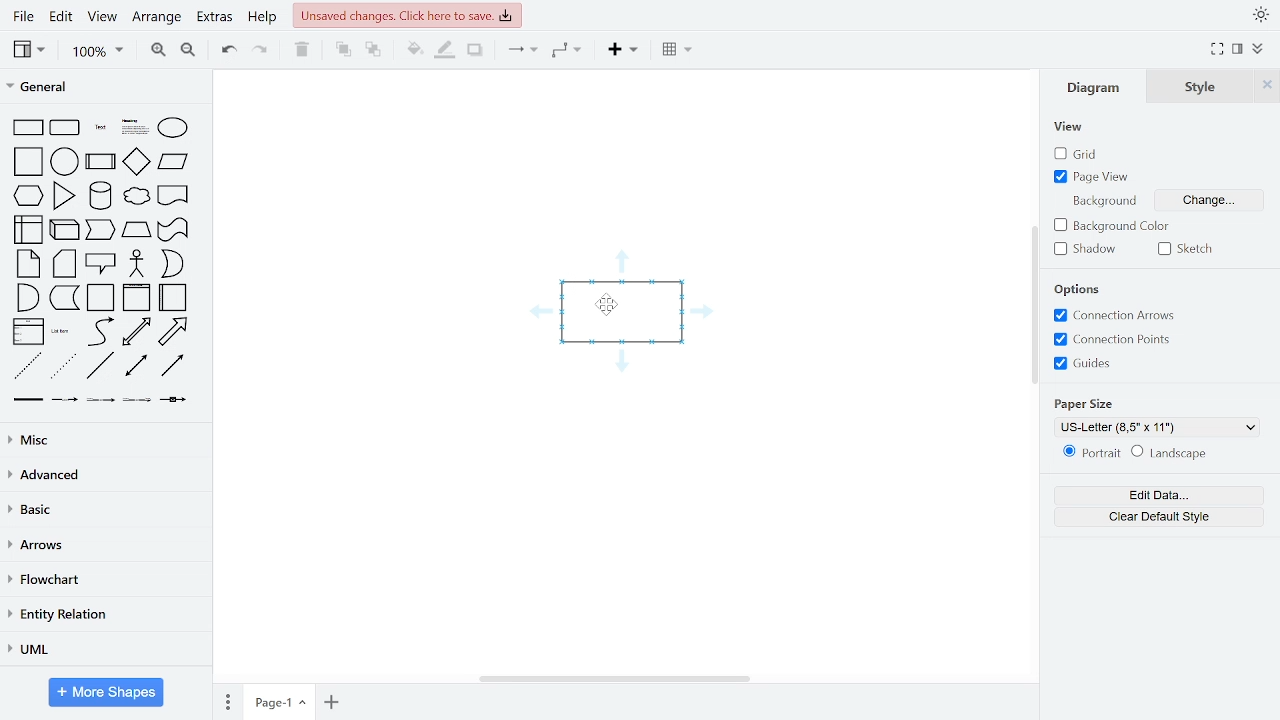 This screenshot has width=1280, height=720. What do you see at coordinates (106, 652) in the screenshot?
I see `UML` at bounding box center [106, 652].